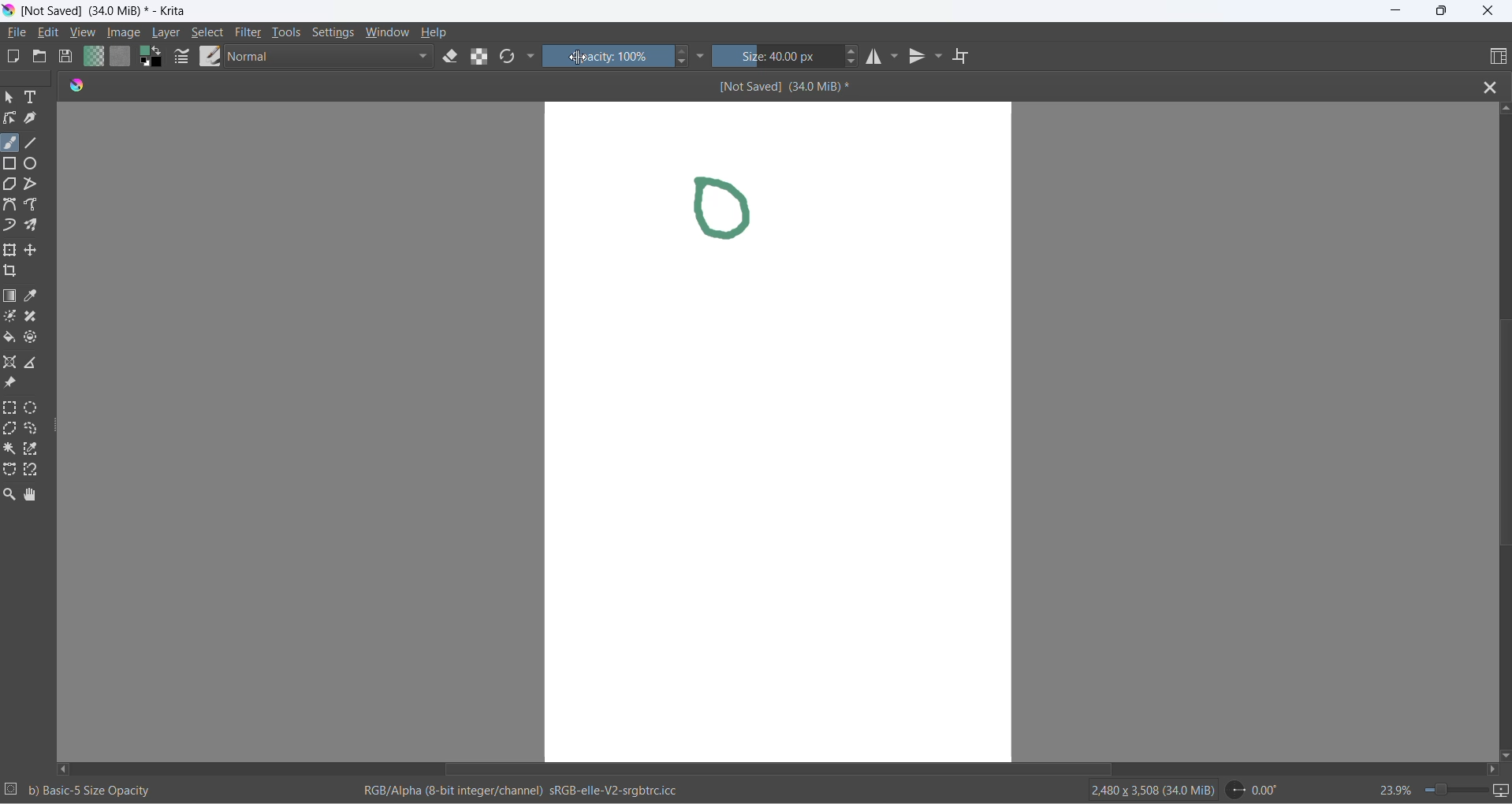 The image size is (1512, 804). I want to click on close file, so click(1487, 86).